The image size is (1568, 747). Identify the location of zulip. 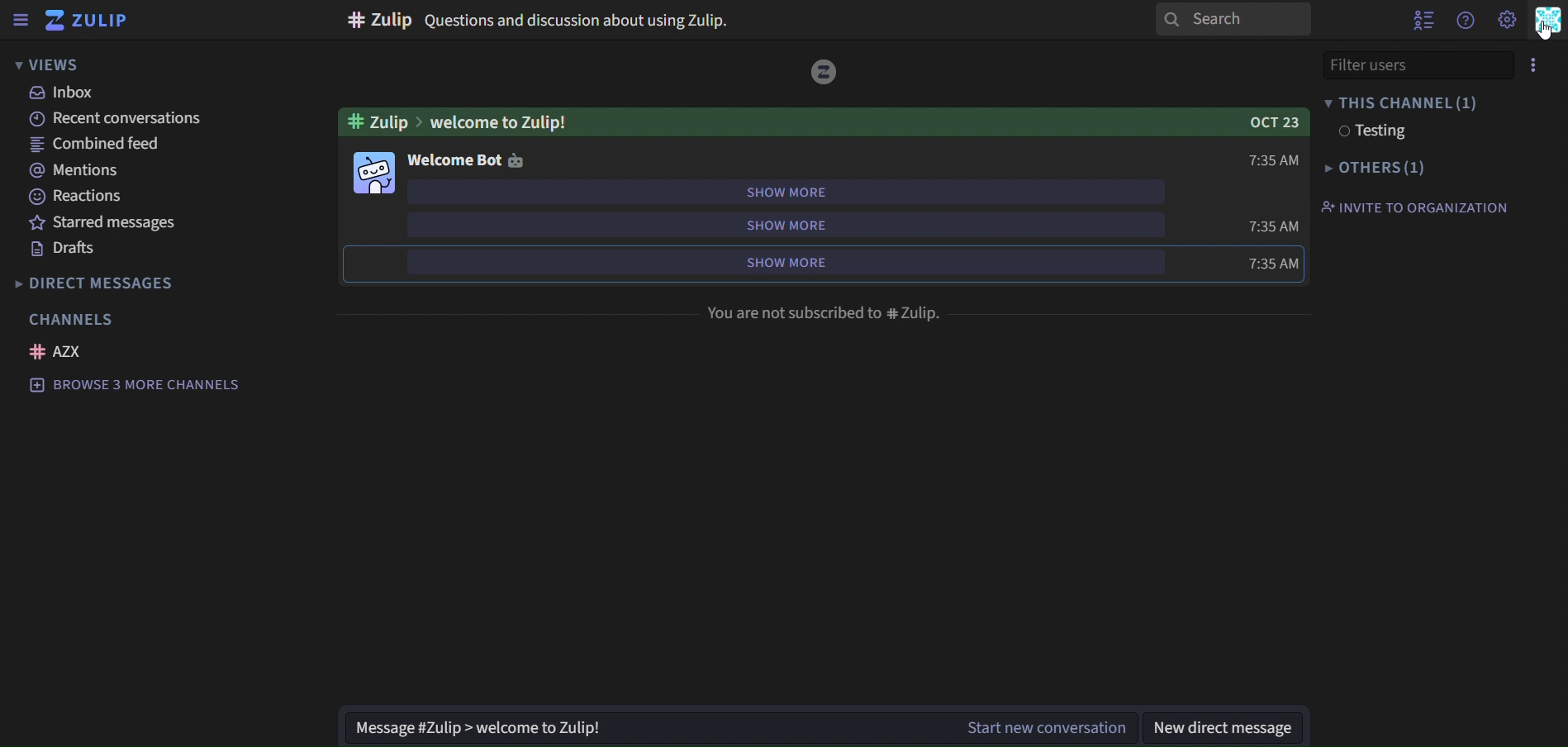
(86, 19).